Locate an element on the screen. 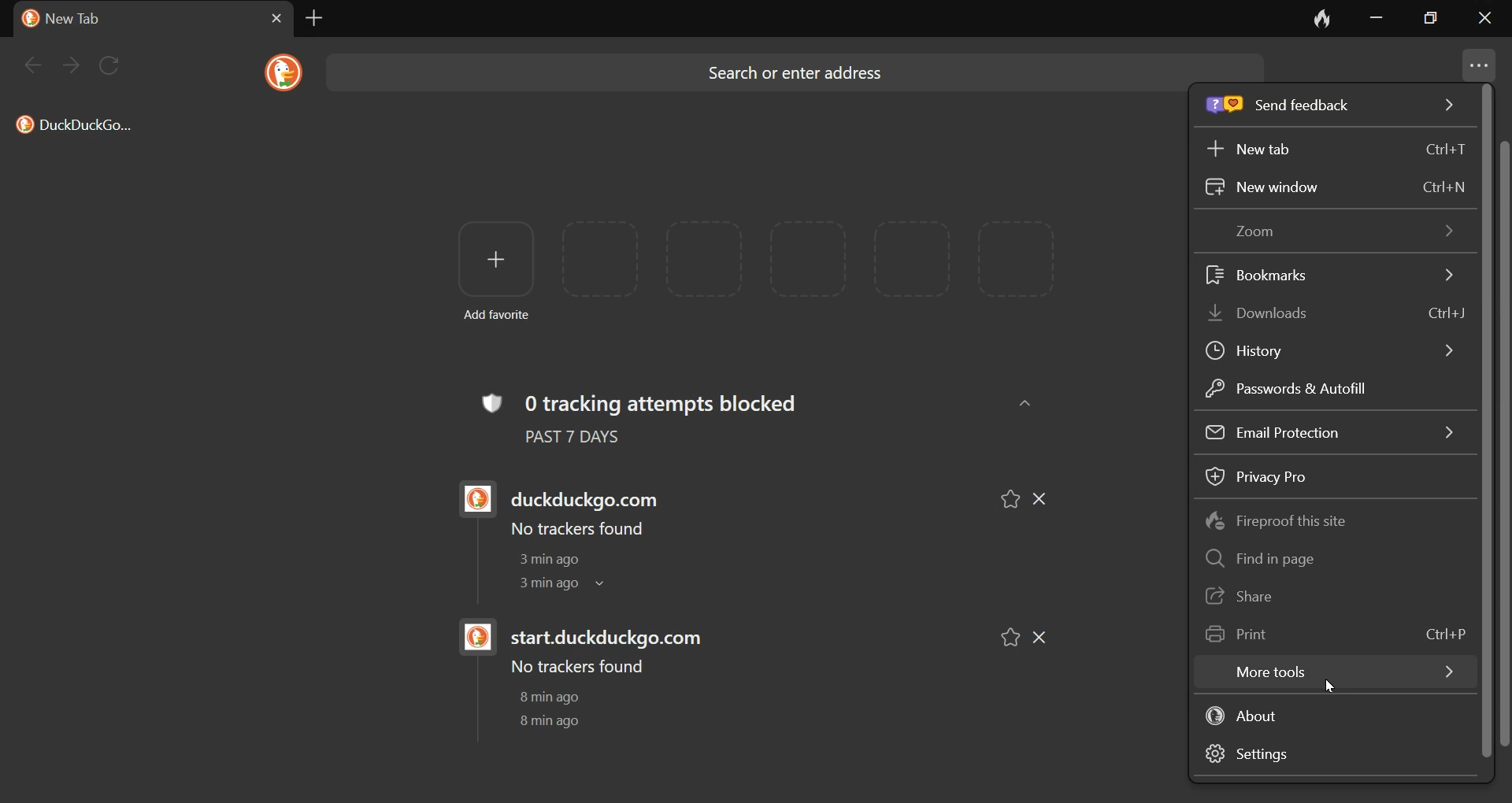 The height and width of the screenshot is (803, 1512). No trackers found is located at coordinates (578, 667).